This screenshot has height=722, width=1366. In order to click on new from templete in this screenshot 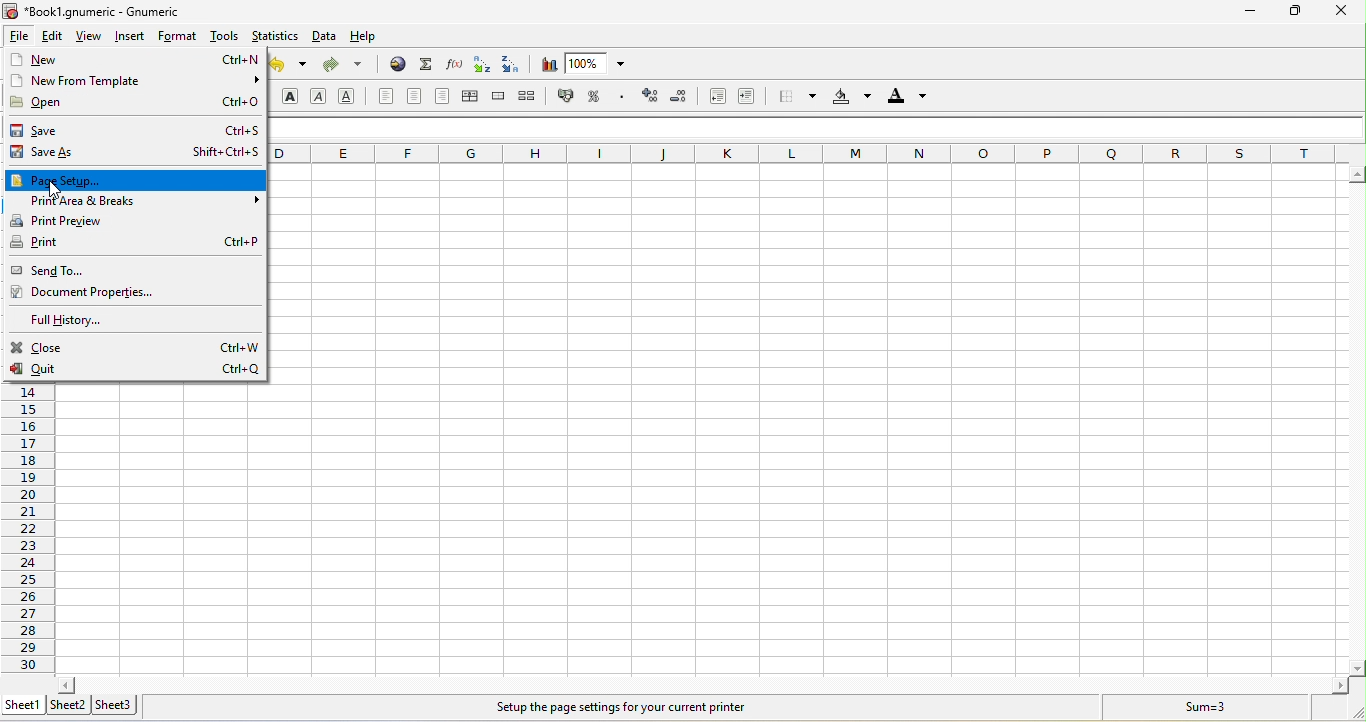, I will do `click(132, 80)`.